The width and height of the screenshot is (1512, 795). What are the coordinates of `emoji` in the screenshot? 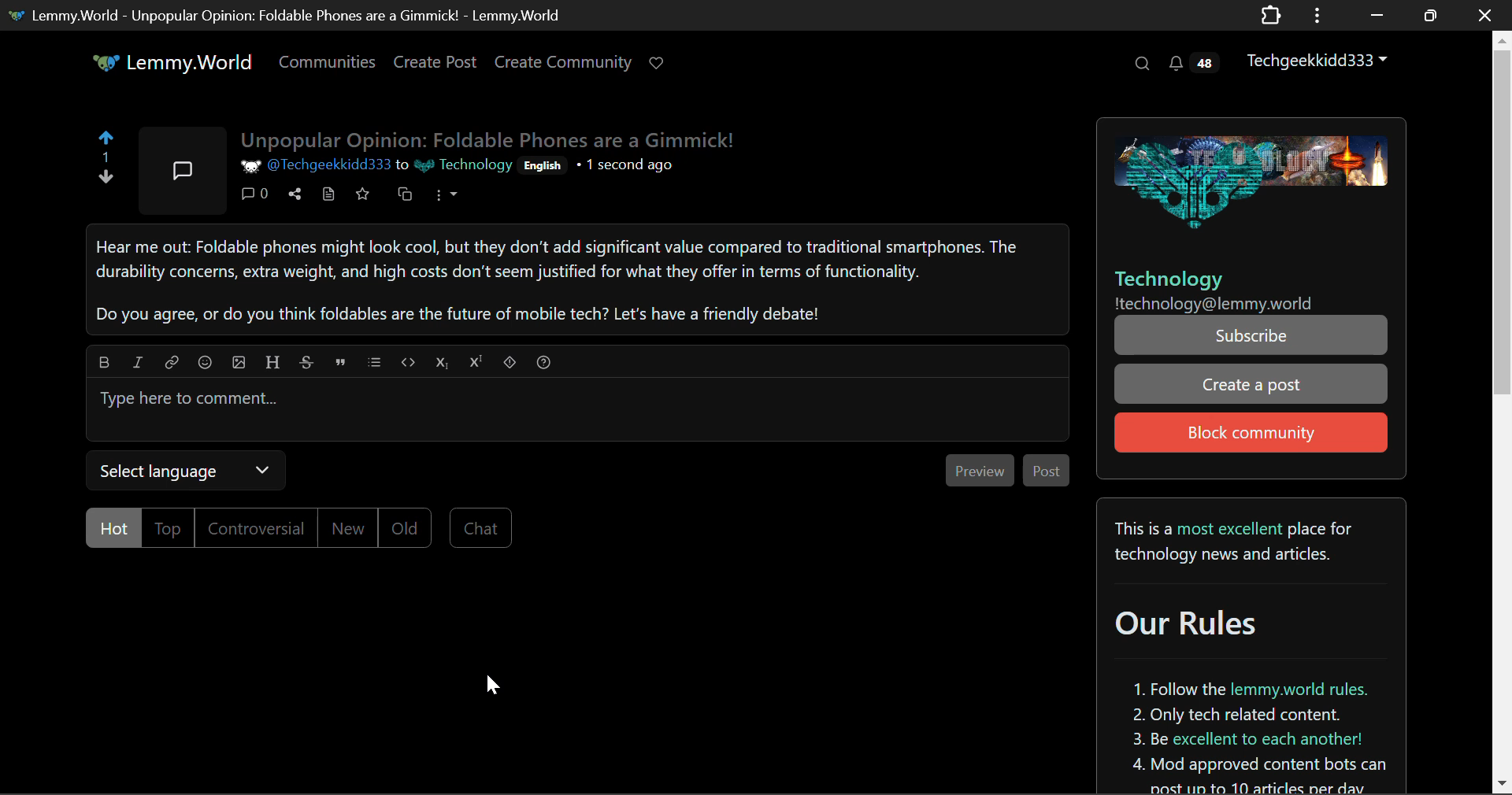 It's located at (204, 360).